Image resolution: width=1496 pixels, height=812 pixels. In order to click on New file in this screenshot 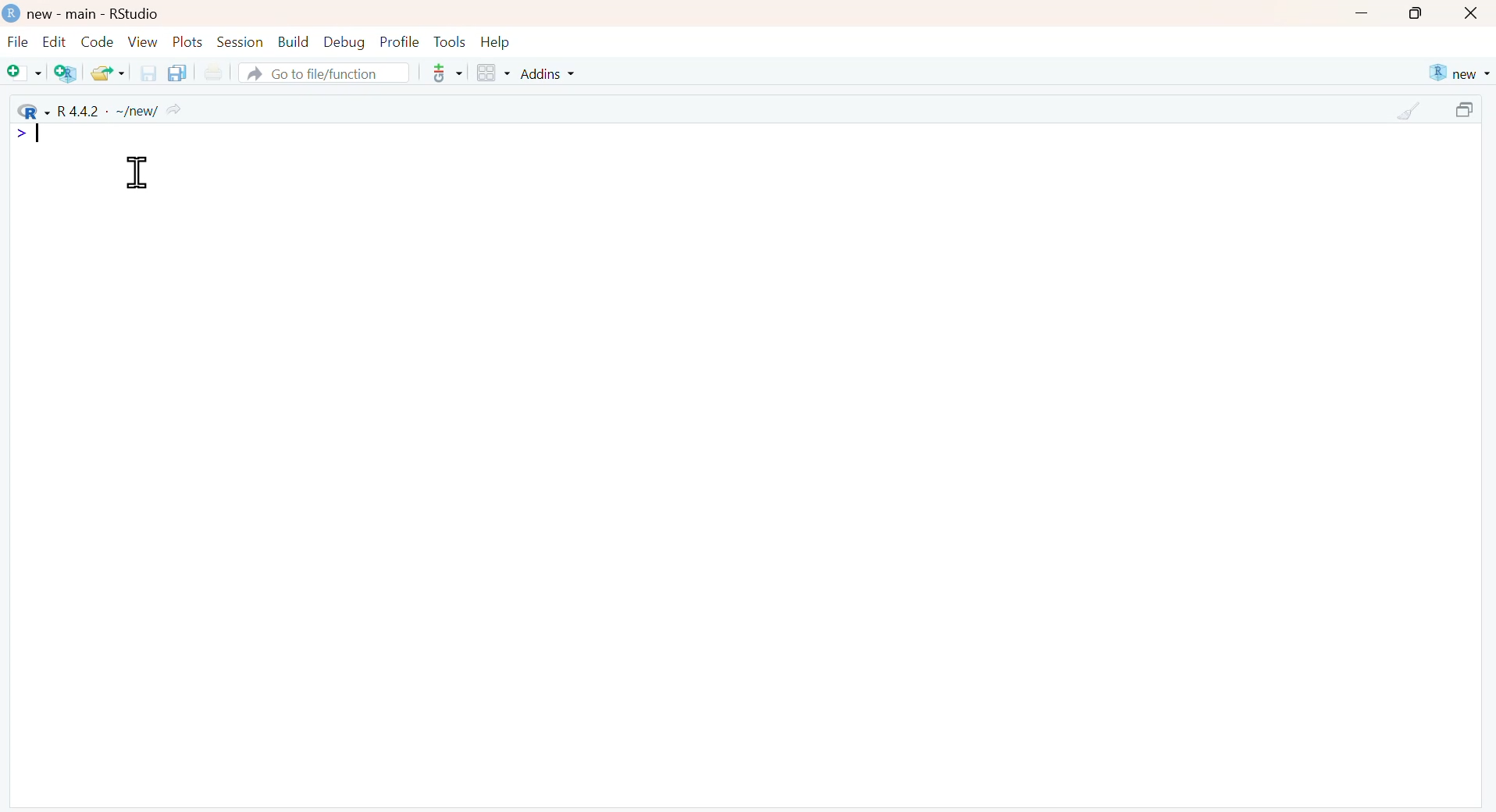, I will do `click(25, 74)`.